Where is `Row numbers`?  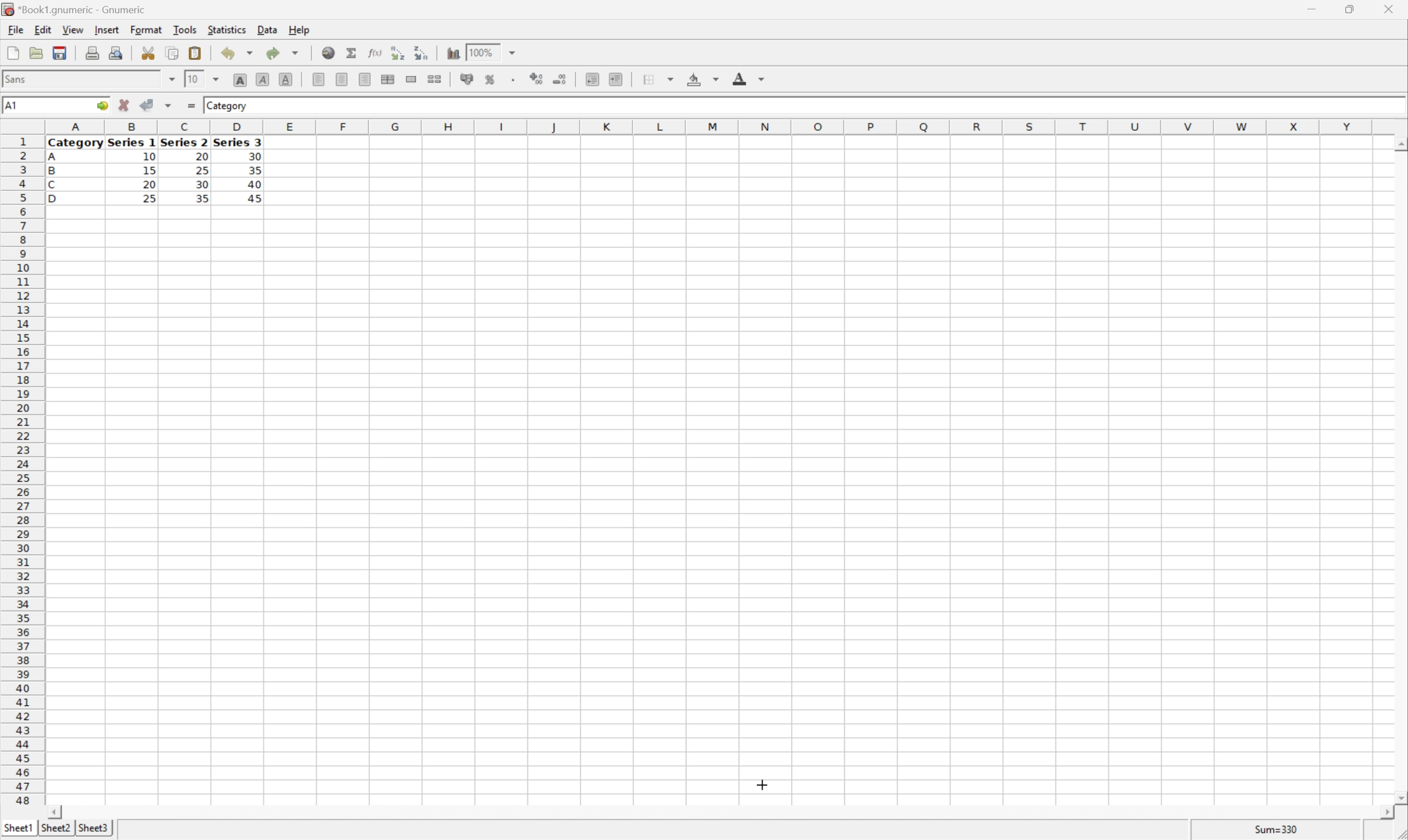 Row numbers is located at coordinates (21, 470).